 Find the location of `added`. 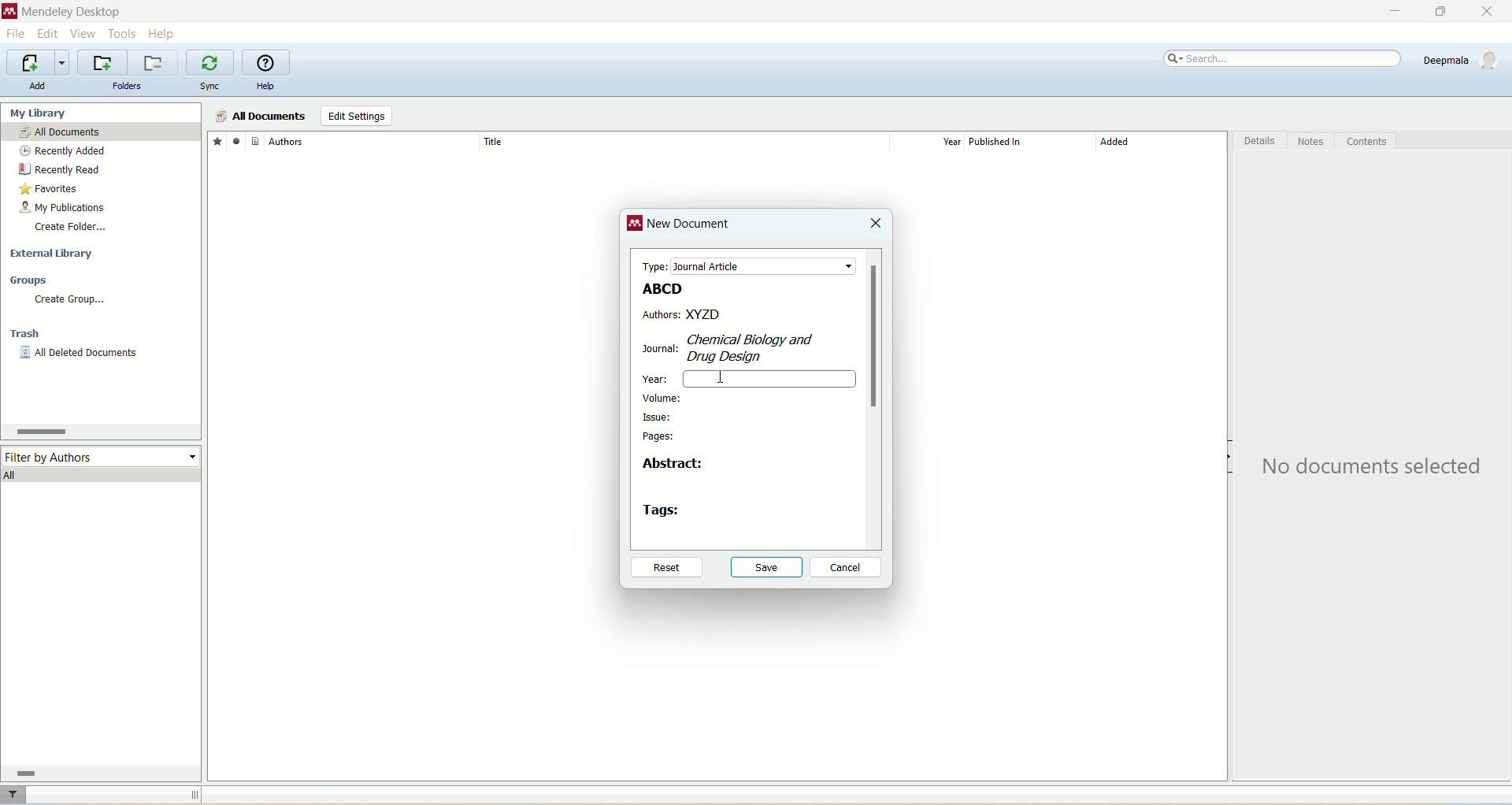

added is located at coordinates (1162, 146).